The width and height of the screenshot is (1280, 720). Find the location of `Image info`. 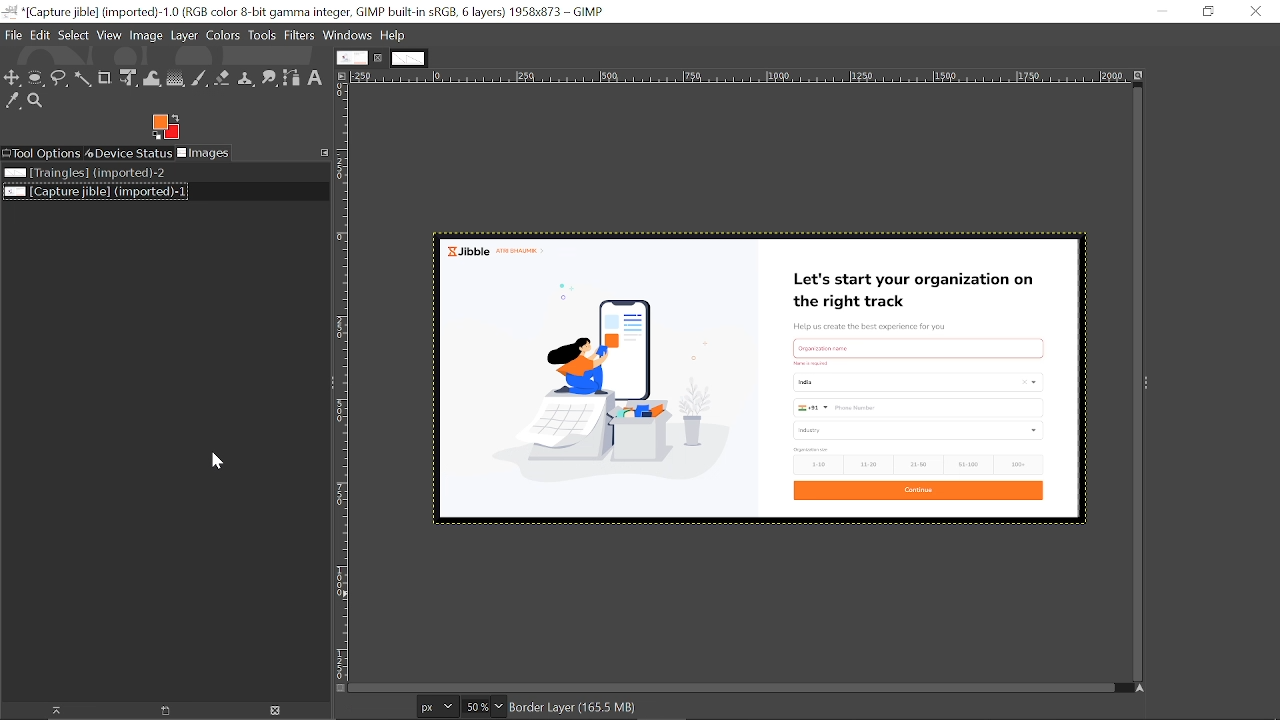

Image info is located at coordinates (586, 710).